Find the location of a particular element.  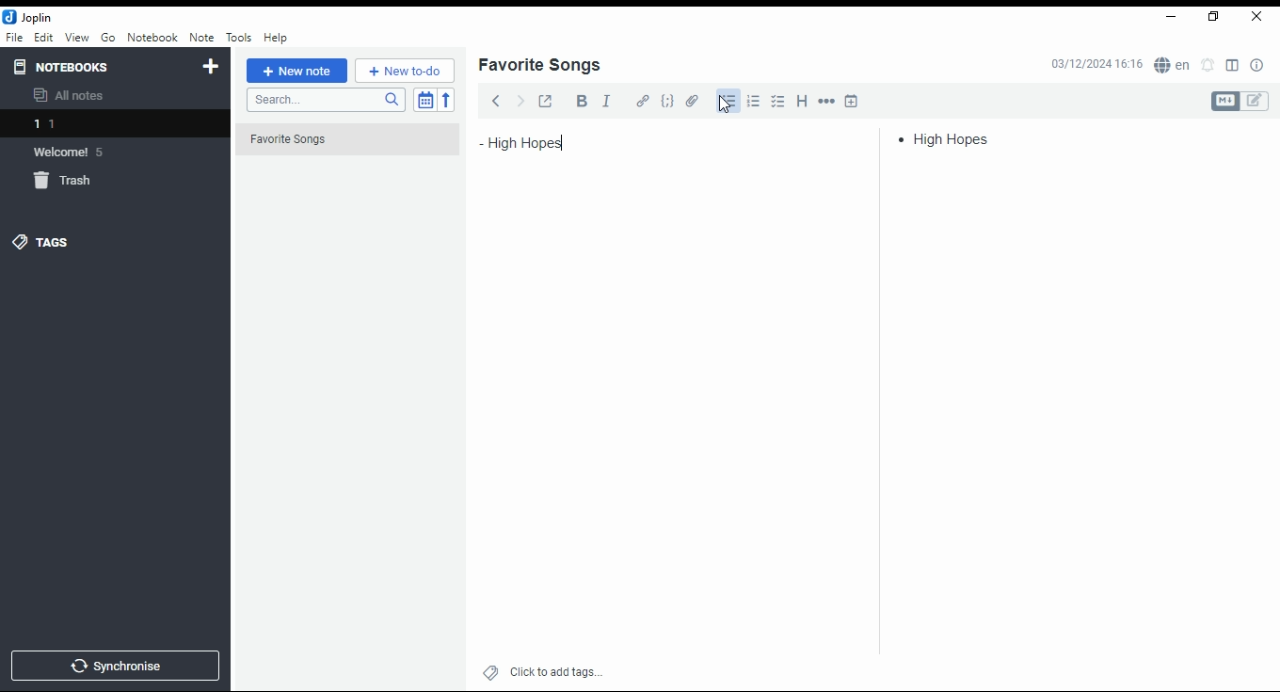

back is located at coordinates (496, 100).